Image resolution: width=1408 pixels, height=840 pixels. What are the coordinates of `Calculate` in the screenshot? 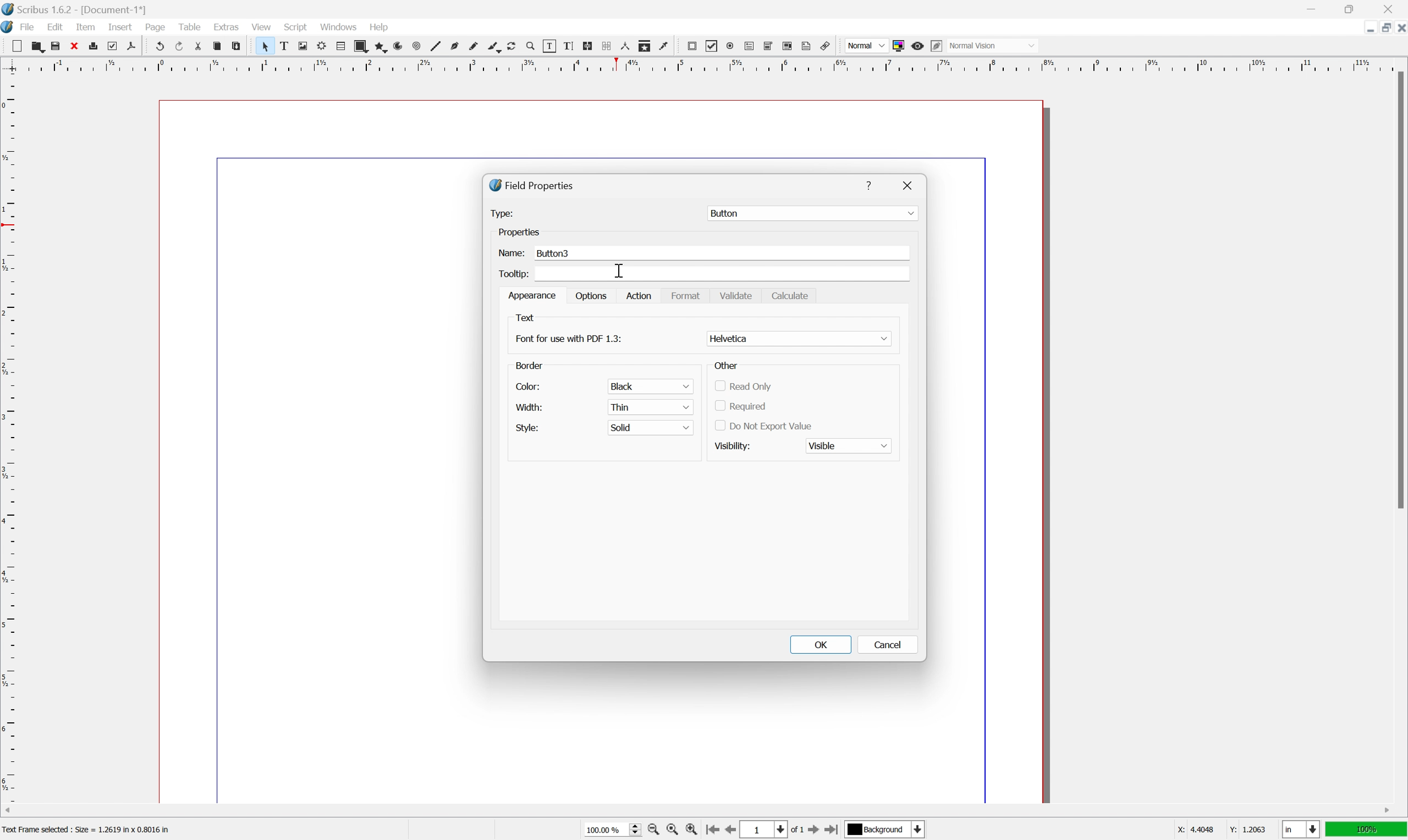 It's located at (793, 297).